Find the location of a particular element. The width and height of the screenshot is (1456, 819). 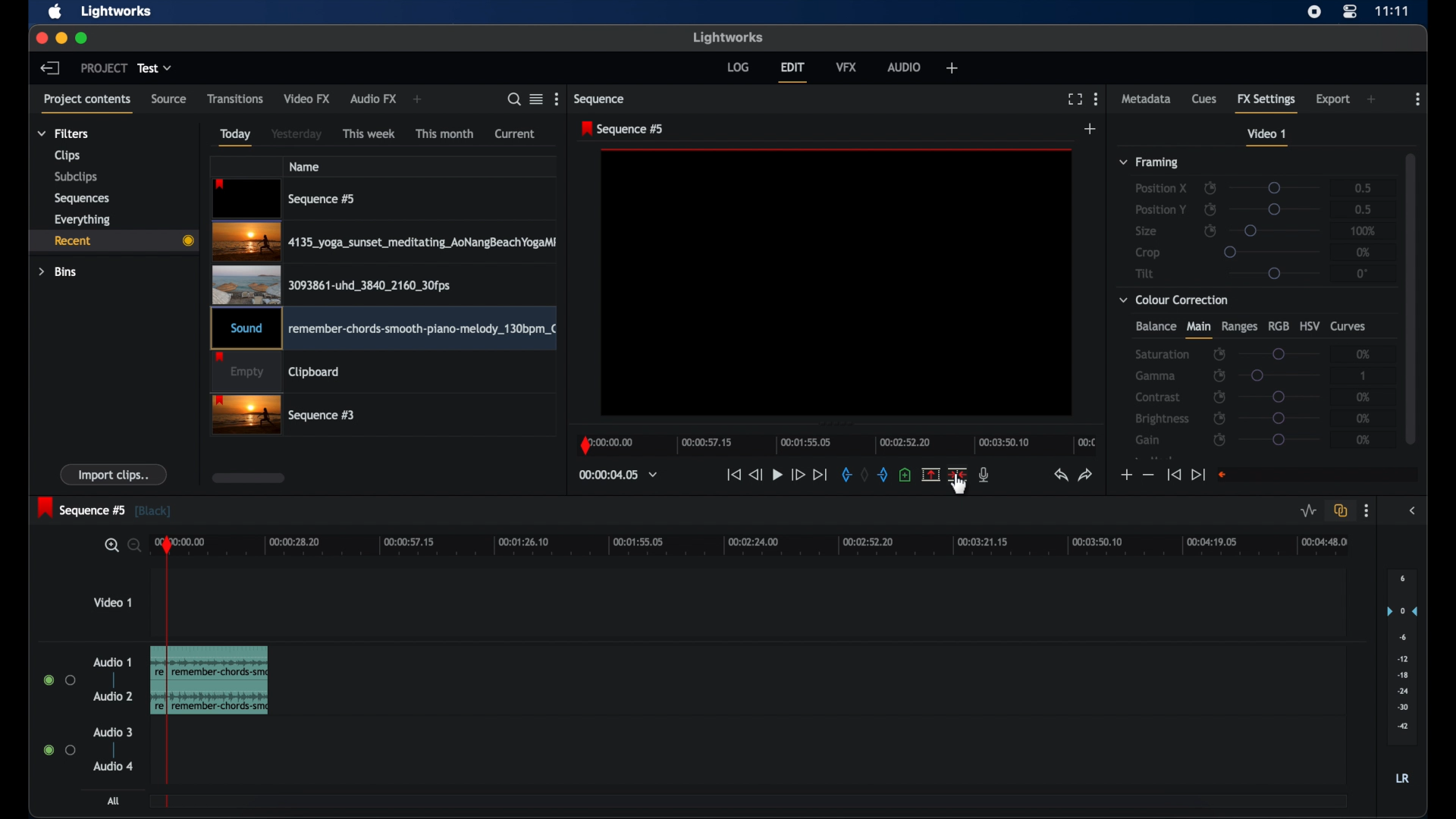

add is located at coordinates (1091, 128).